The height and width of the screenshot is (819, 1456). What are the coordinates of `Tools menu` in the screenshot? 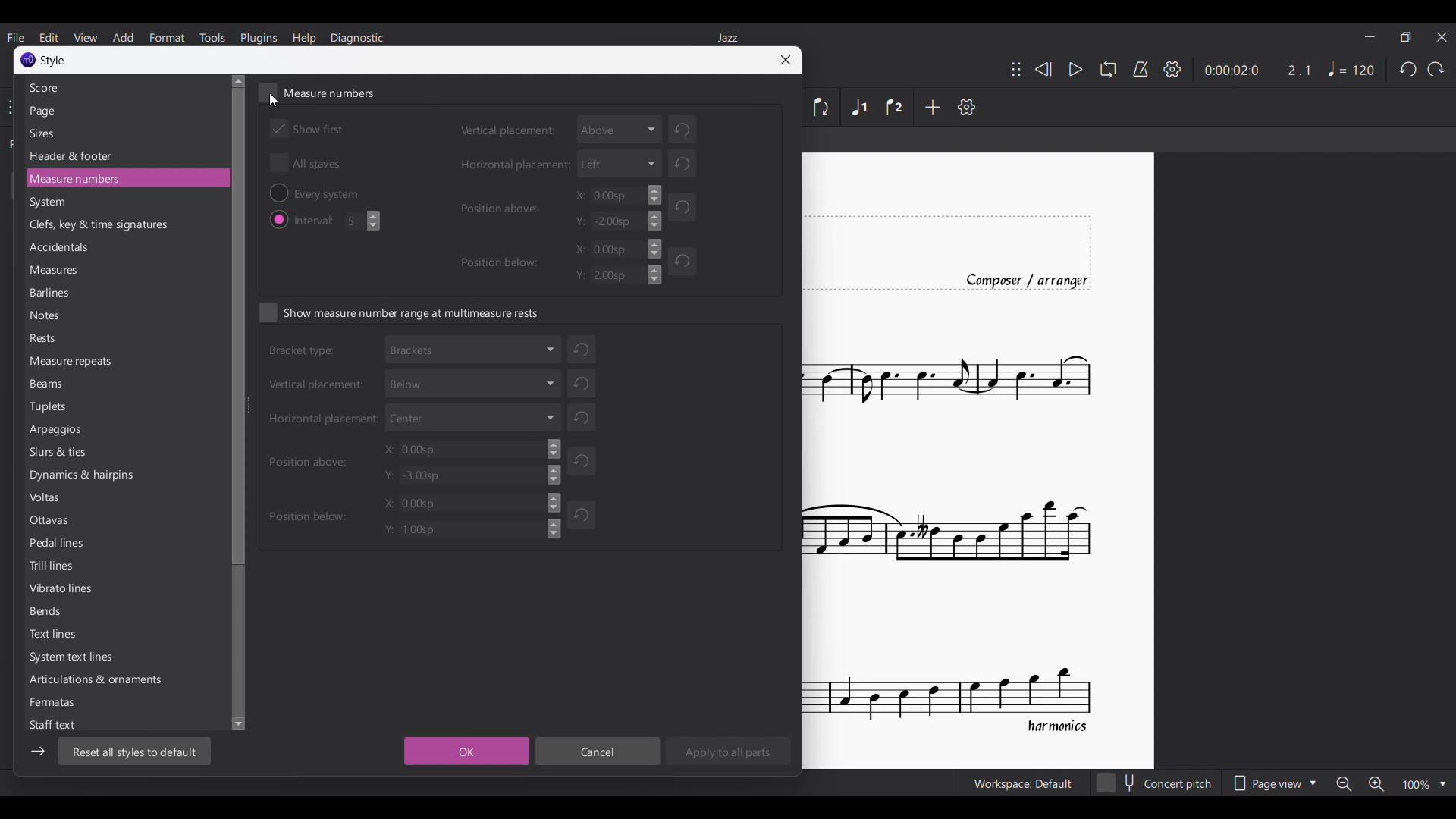 It's located at (212, 38).